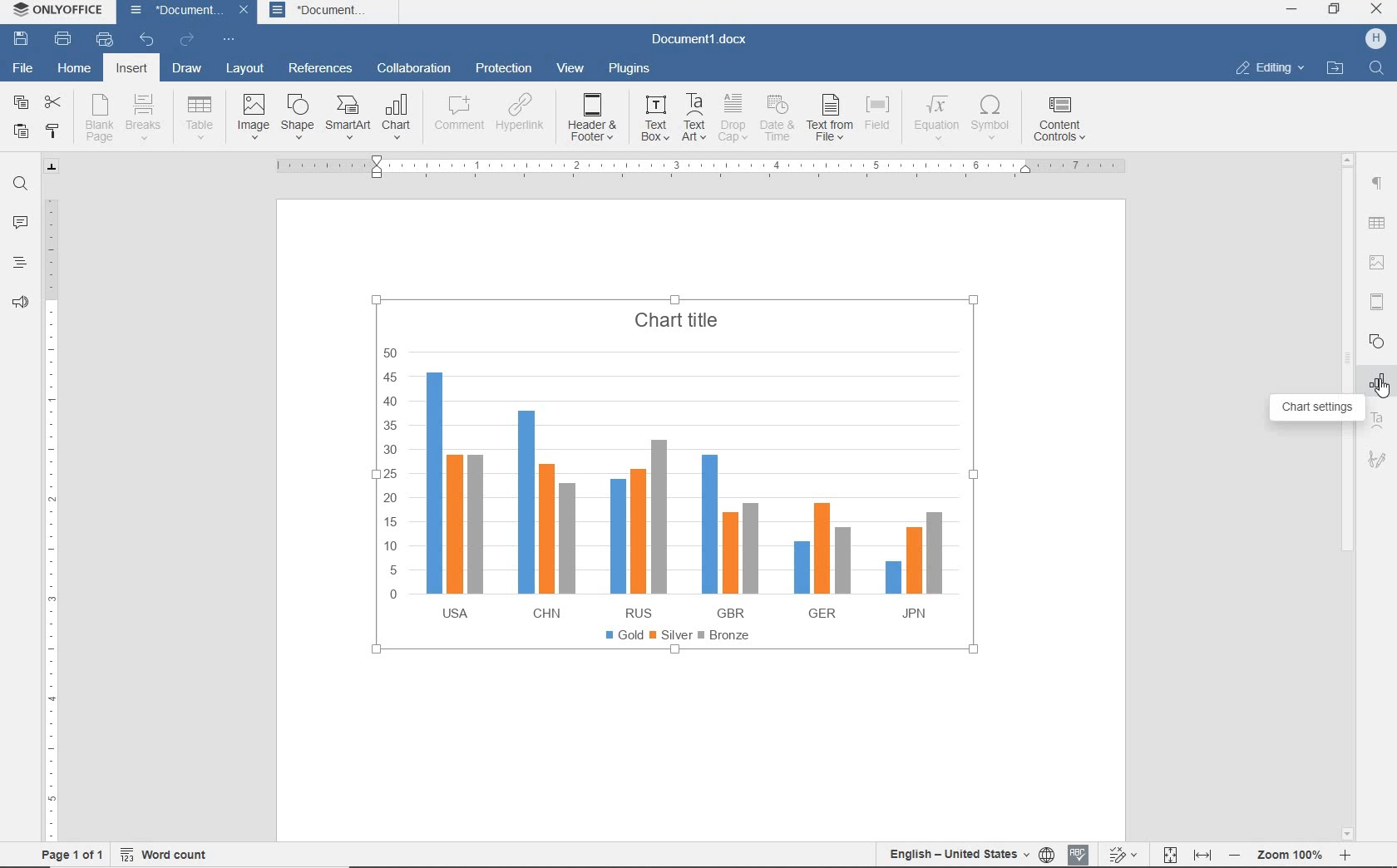 The height and width of the screenshot is (868, 1397). Describe the element at coordinates (22, 184) in the screenshot. I see `find` at that location.